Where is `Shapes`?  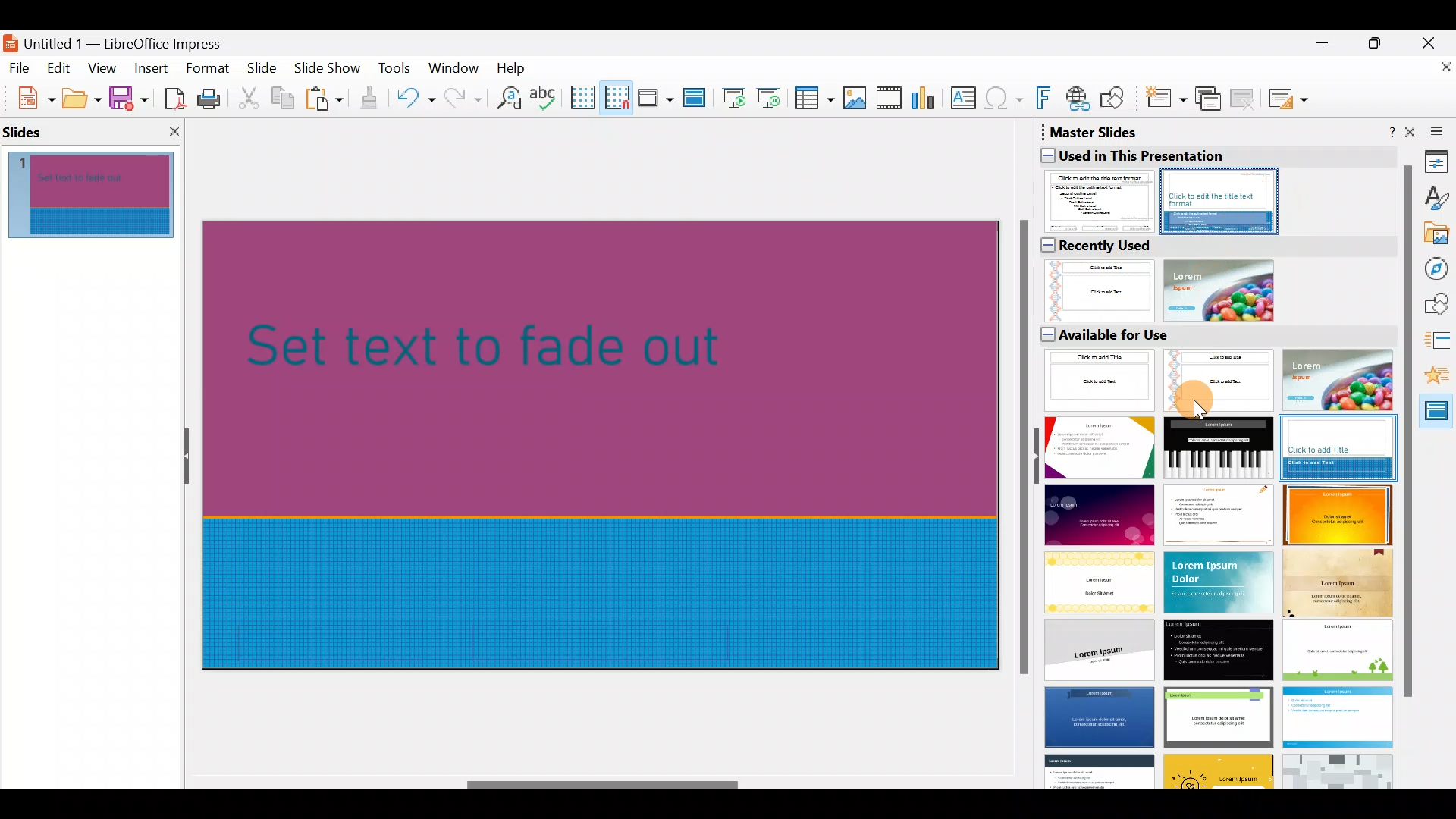 Shapes is located at coordinates (1438, 305).